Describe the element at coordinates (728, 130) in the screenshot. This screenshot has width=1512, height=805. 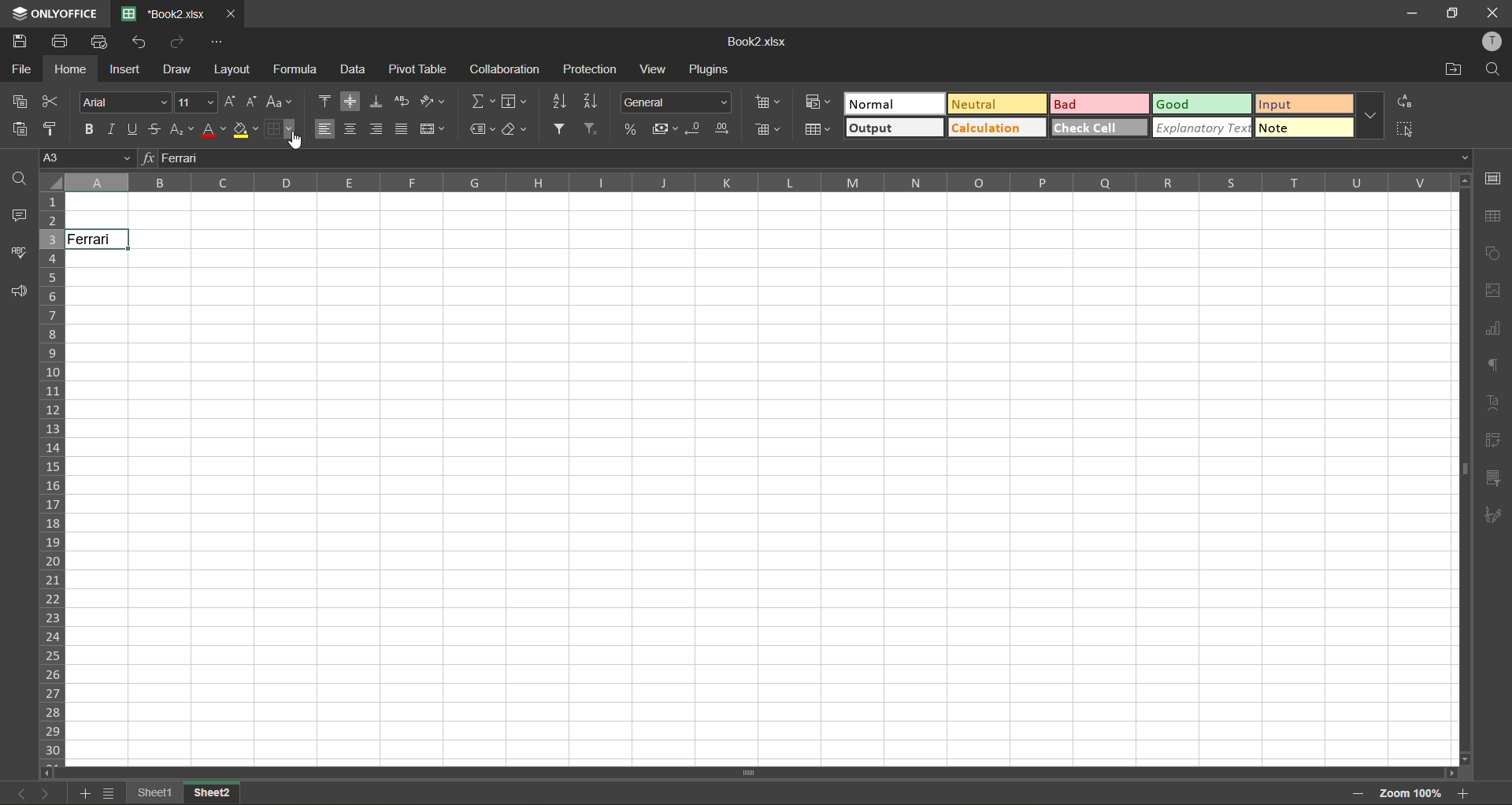
I see `increase decimal` at that location.